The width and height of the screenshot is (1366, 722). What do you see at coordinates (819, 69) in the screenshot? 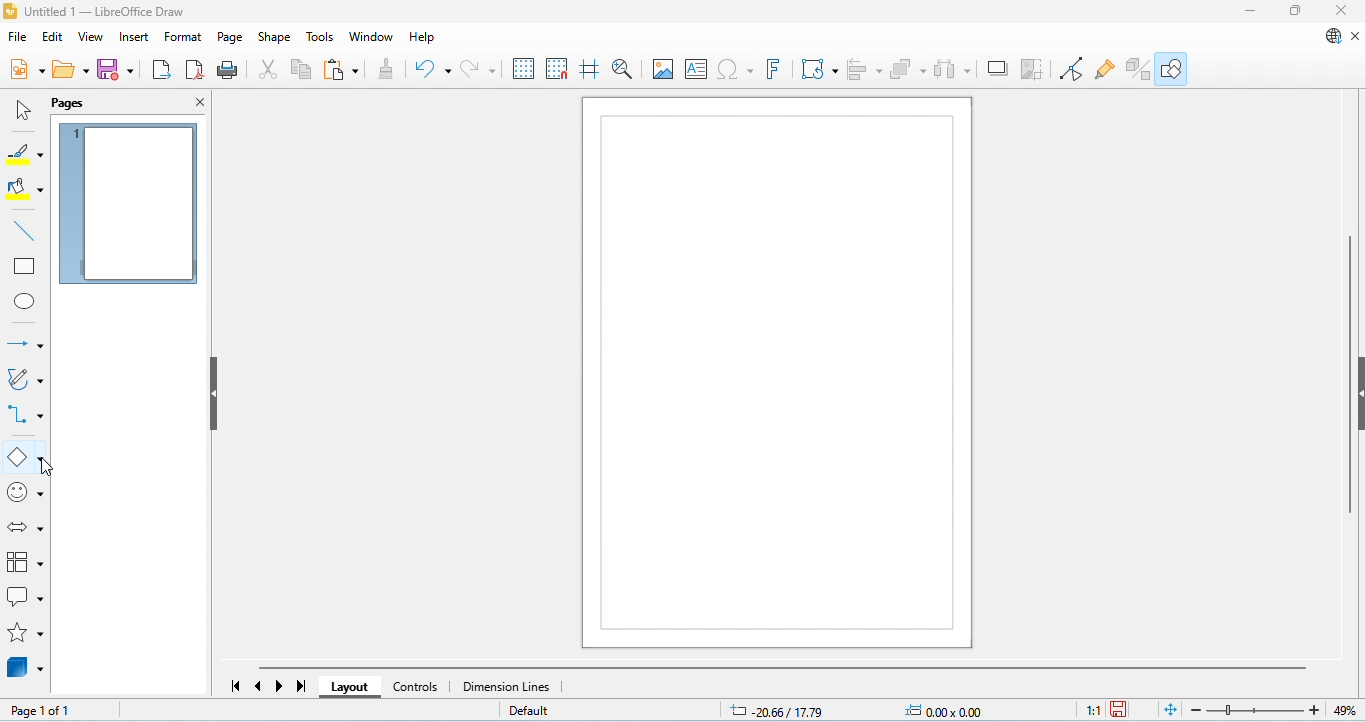
I see `transformations` at bounding box center [819, 69].